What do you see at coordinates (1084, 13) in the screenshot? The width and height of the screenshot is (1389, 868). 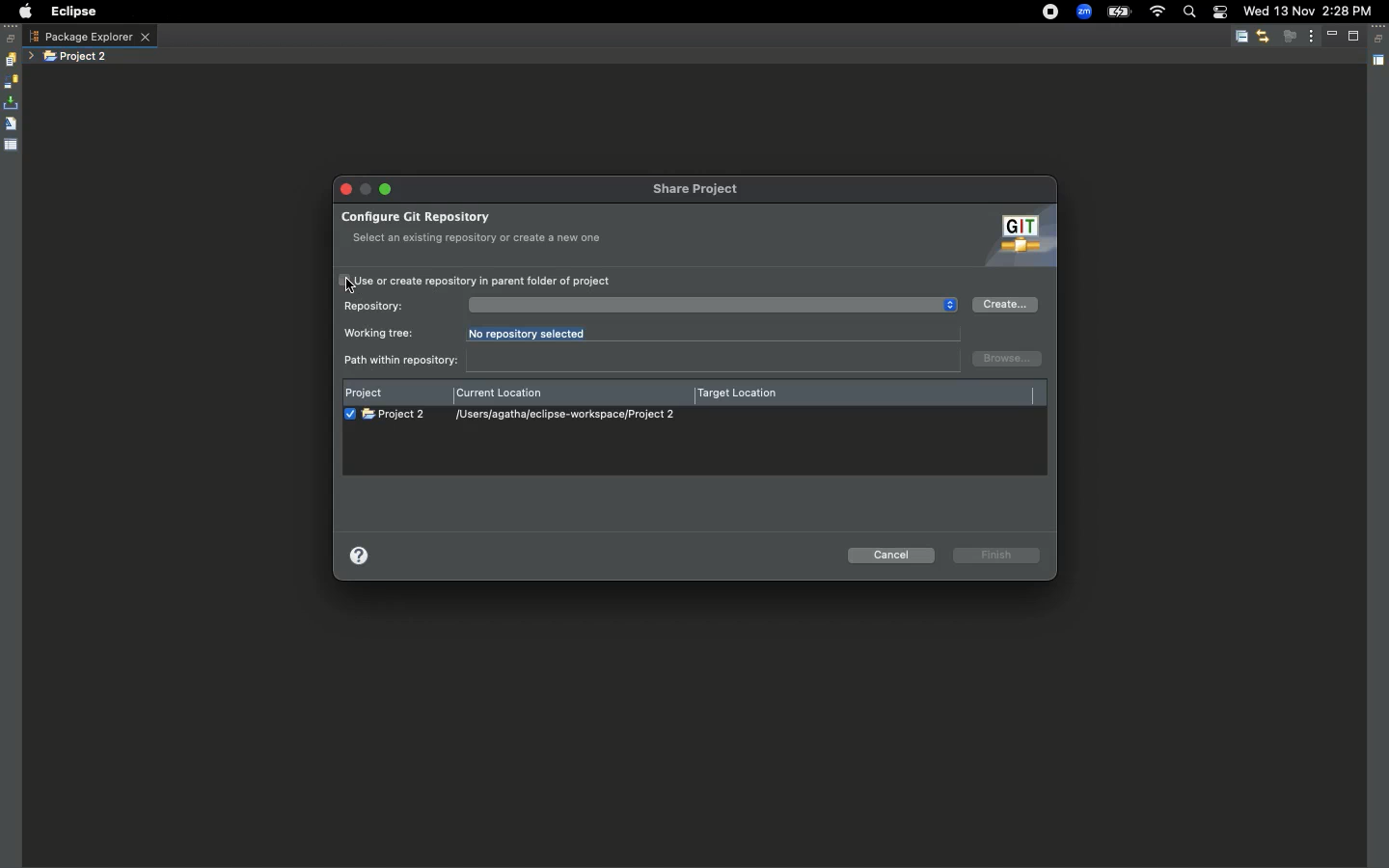 I see `Zoom` at bounding box center [1084, 13].